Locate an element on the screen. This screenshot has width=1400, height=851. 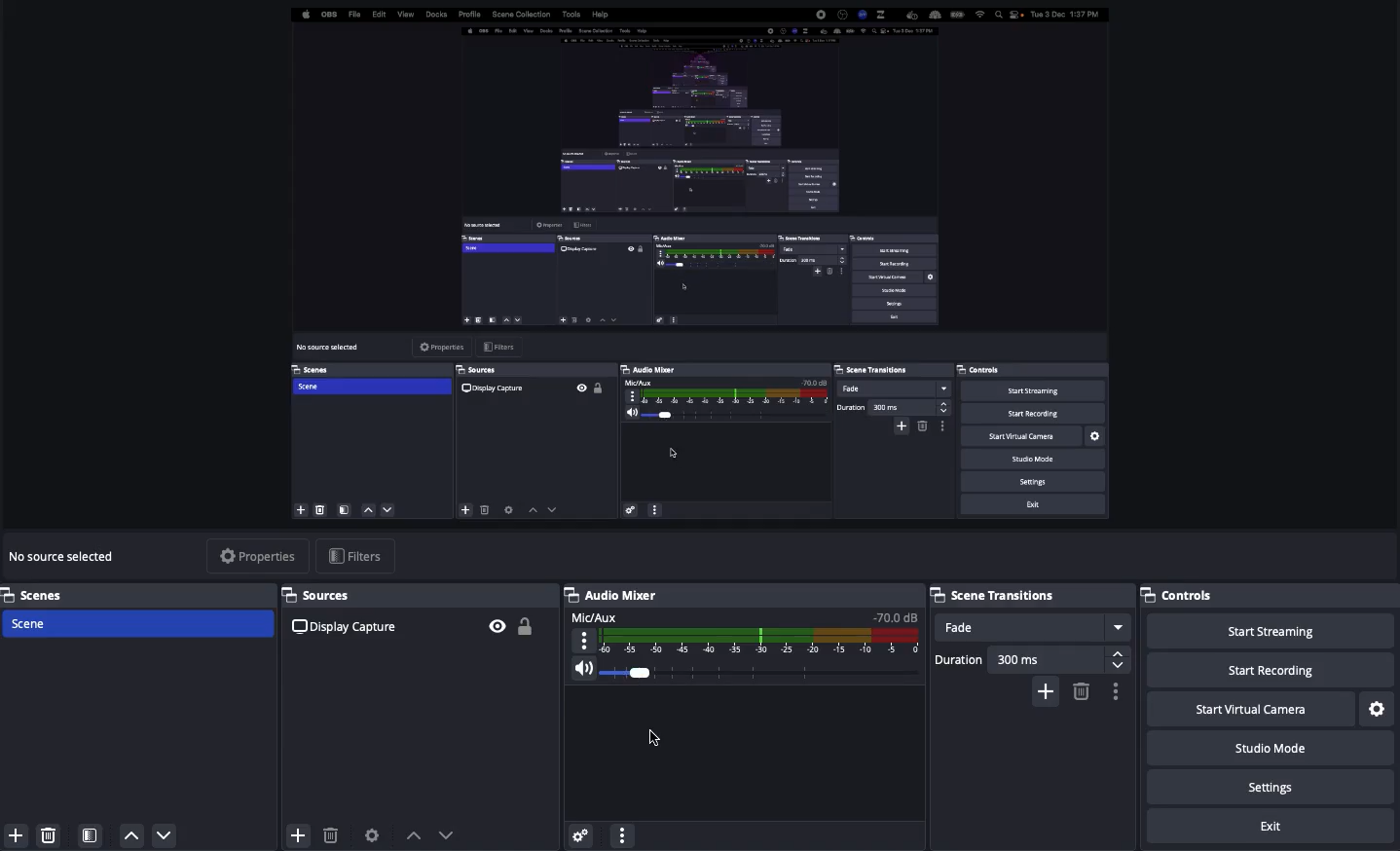
Scene is located at coordinates (139, 625).